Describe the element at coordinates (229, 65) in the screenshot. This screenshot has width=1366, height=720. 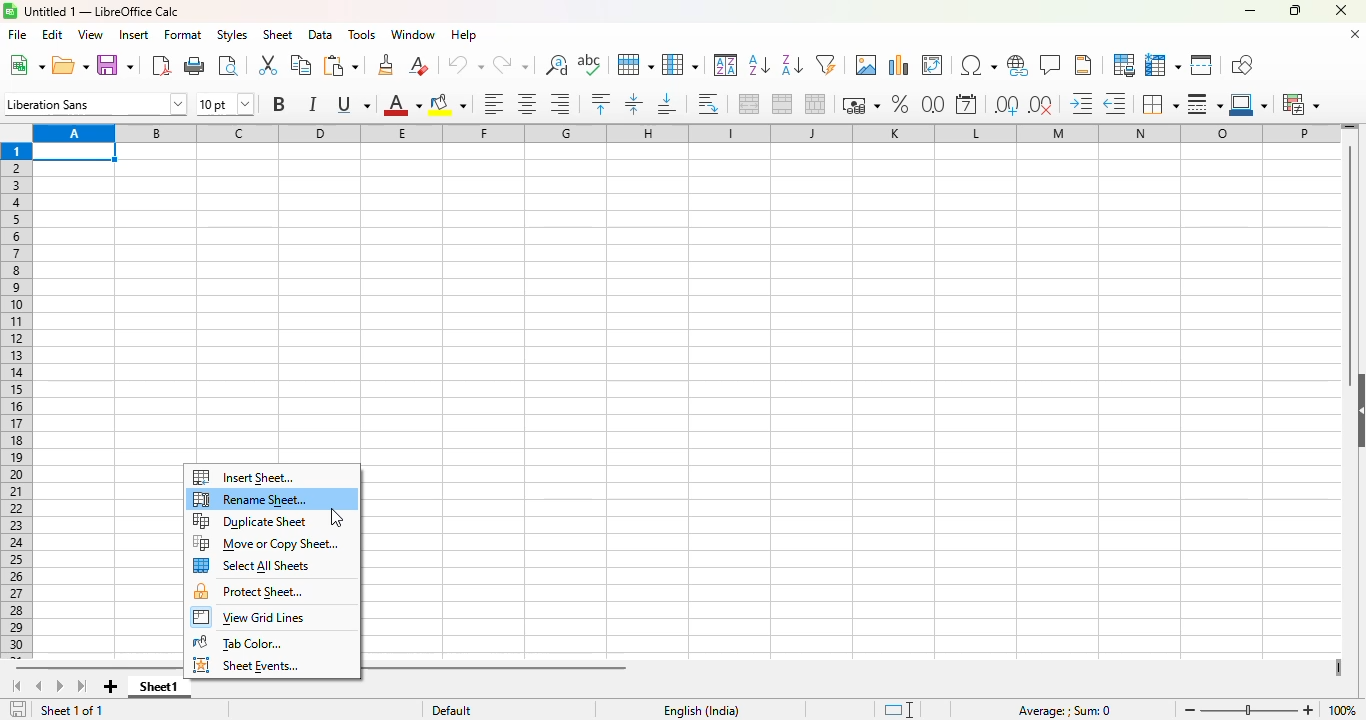
I see `toggle print preview` at that location.